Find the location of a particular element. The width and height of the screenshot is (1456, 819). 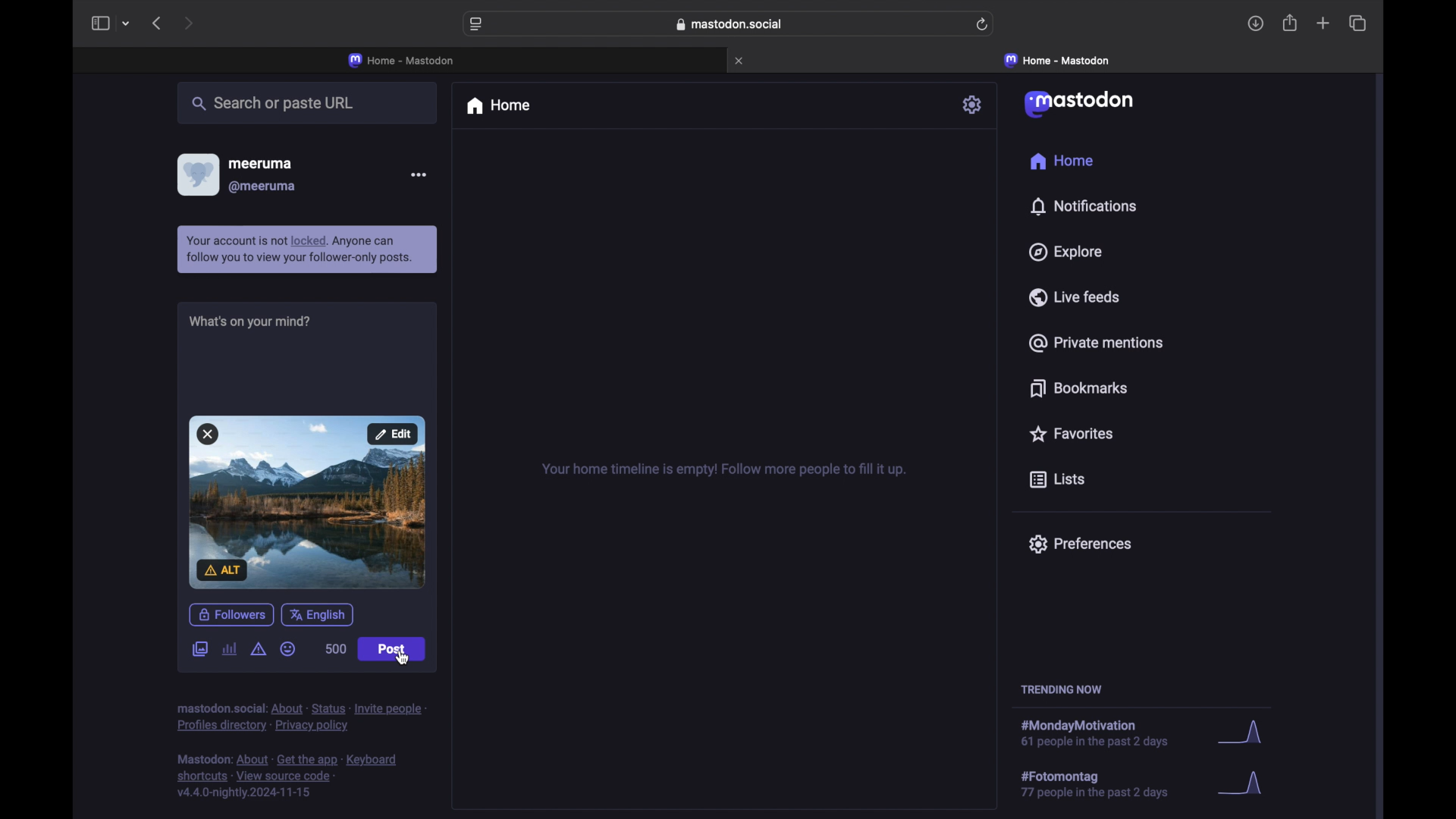

new tab is located at coordinates (1323, 24).